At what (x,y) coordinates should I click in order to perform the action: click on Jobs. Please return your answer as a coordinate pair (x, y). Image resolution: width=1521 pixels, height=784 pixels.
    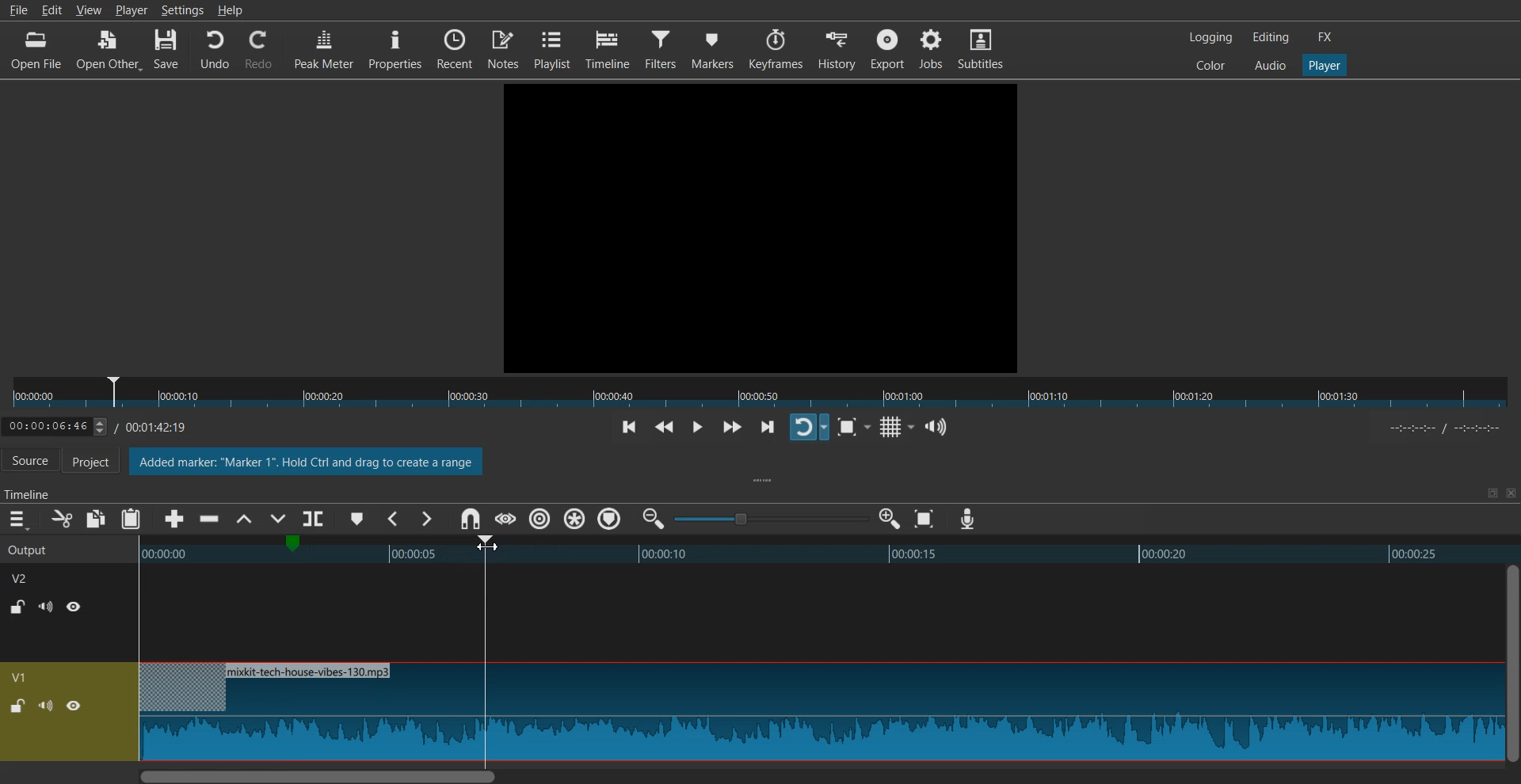
    Looking at the image, I should click on (930, 48).